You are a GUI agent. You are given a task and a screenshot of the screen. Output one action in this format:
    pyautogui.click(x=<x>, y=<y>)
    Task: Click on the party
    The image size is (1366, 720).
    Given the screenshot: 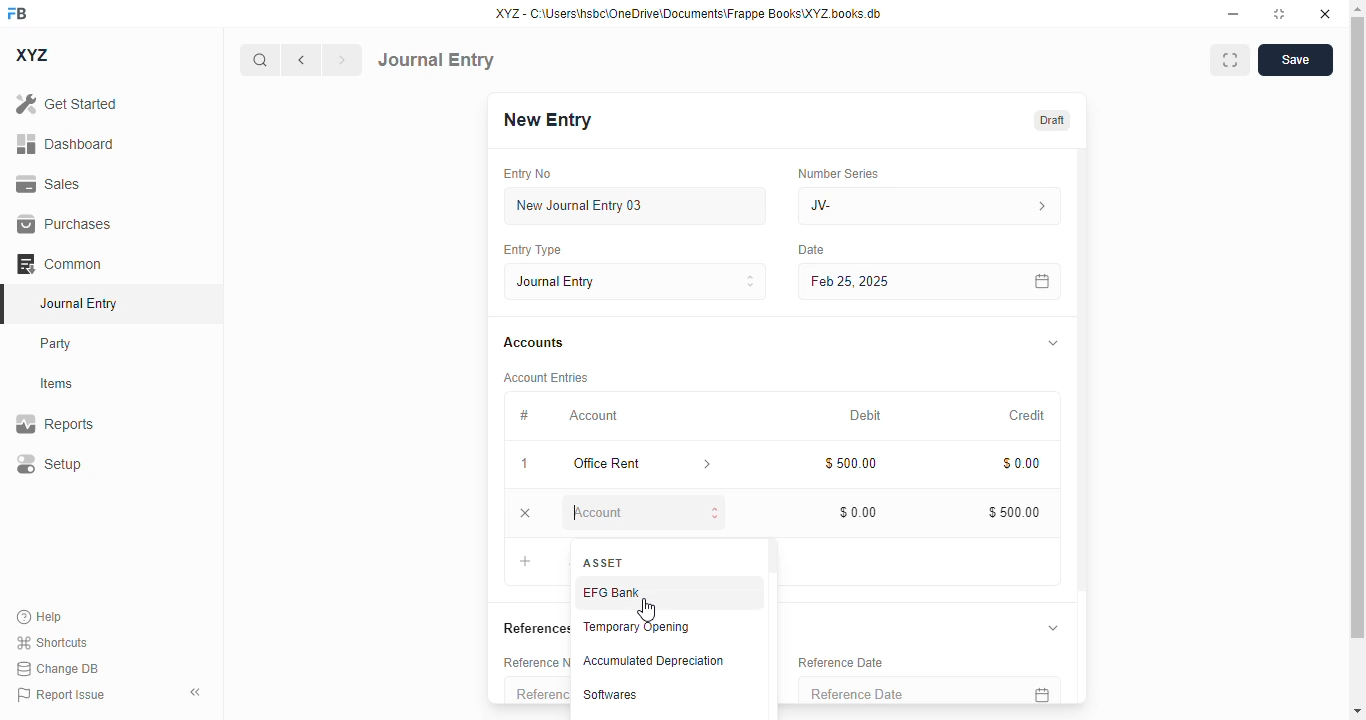 What is the action you would take?
    pyautogui.click(x=56, y=344)
    